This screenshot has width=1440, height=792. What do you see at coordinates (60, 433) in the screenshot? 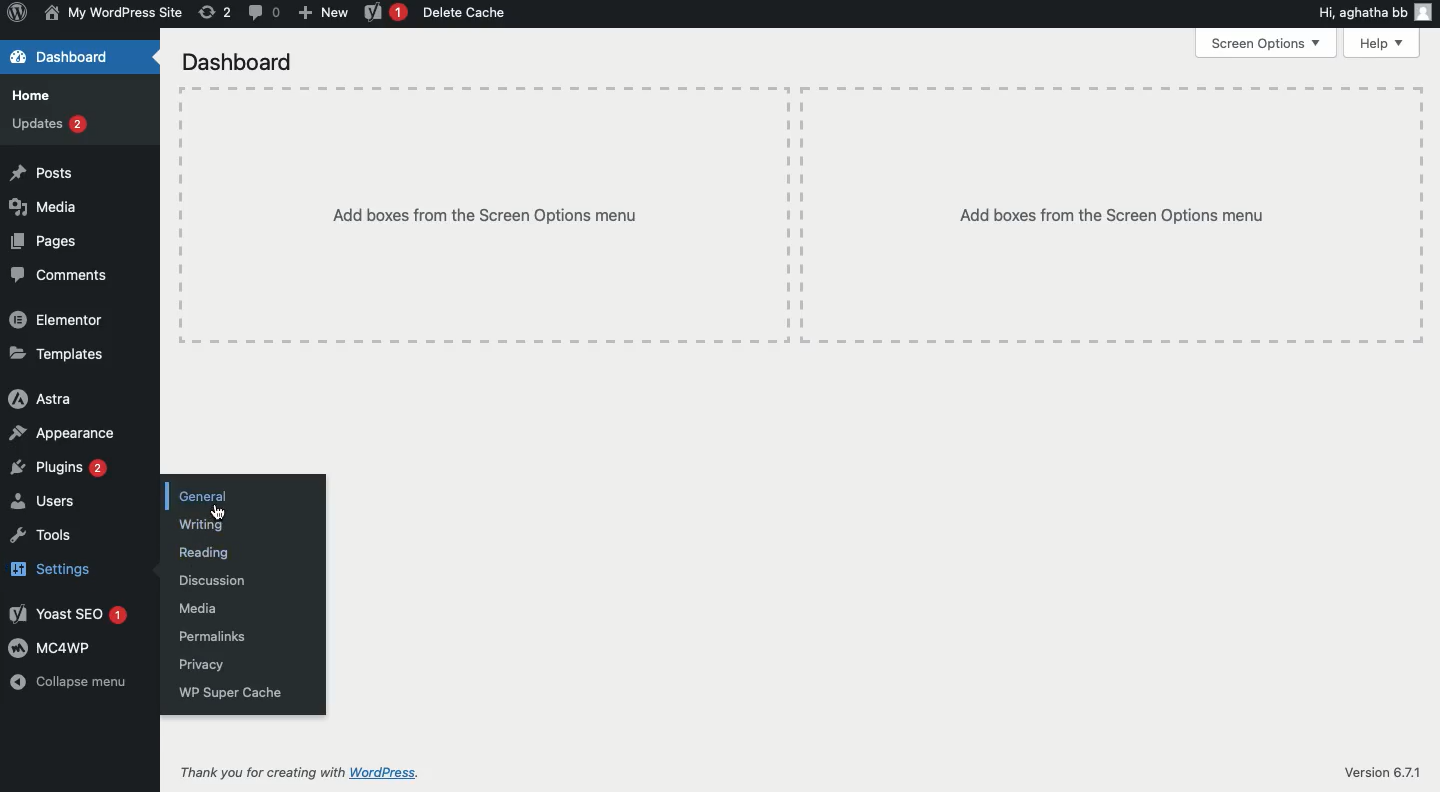
I see `Appearance` at bounding box center [60, 433].